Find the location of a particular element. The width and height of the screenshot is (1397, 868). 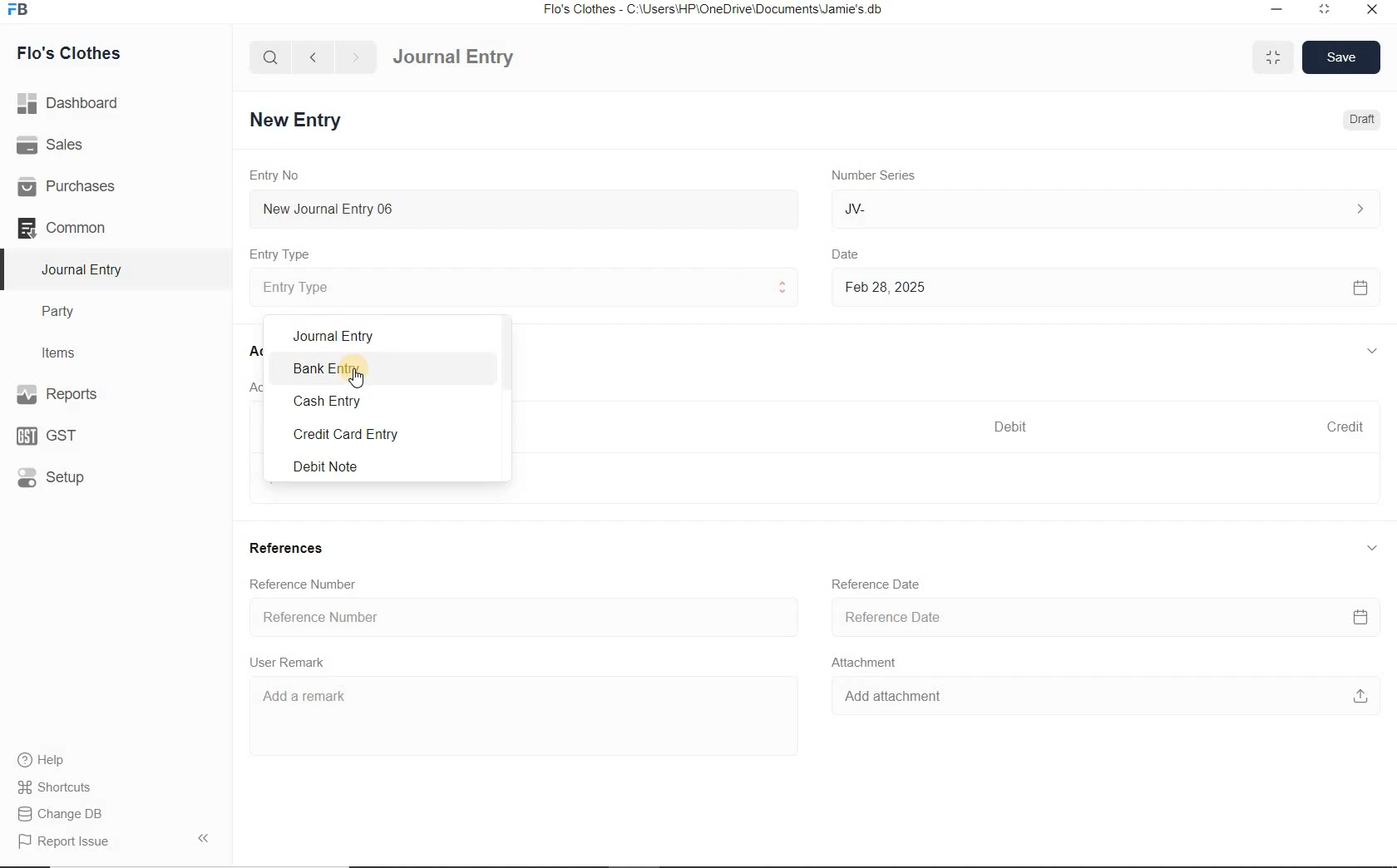

Items is located at coordinates (67, 351).